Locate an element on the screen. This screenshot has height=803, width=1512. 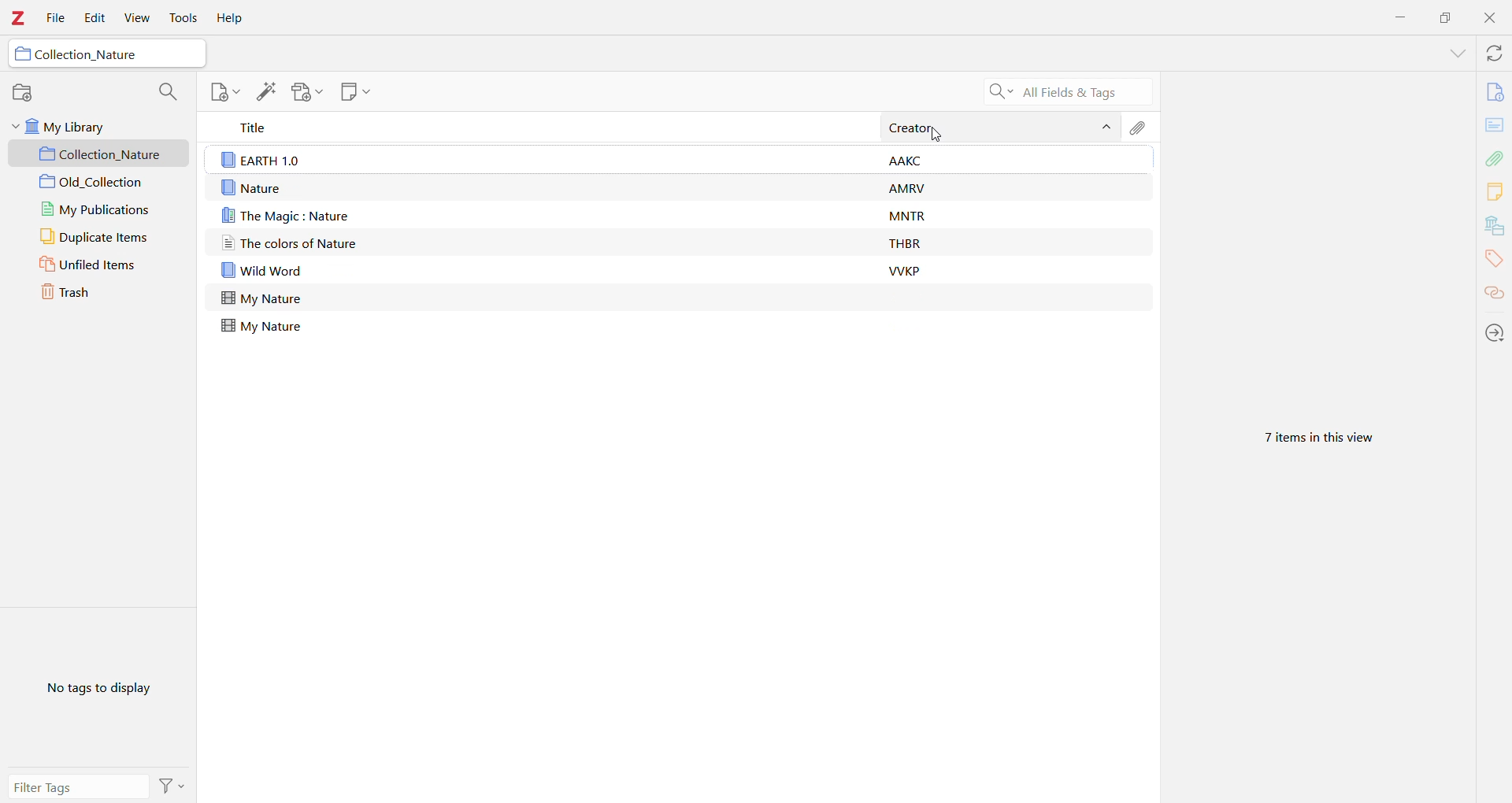
Filter tags is located at coordinates (78, 786).